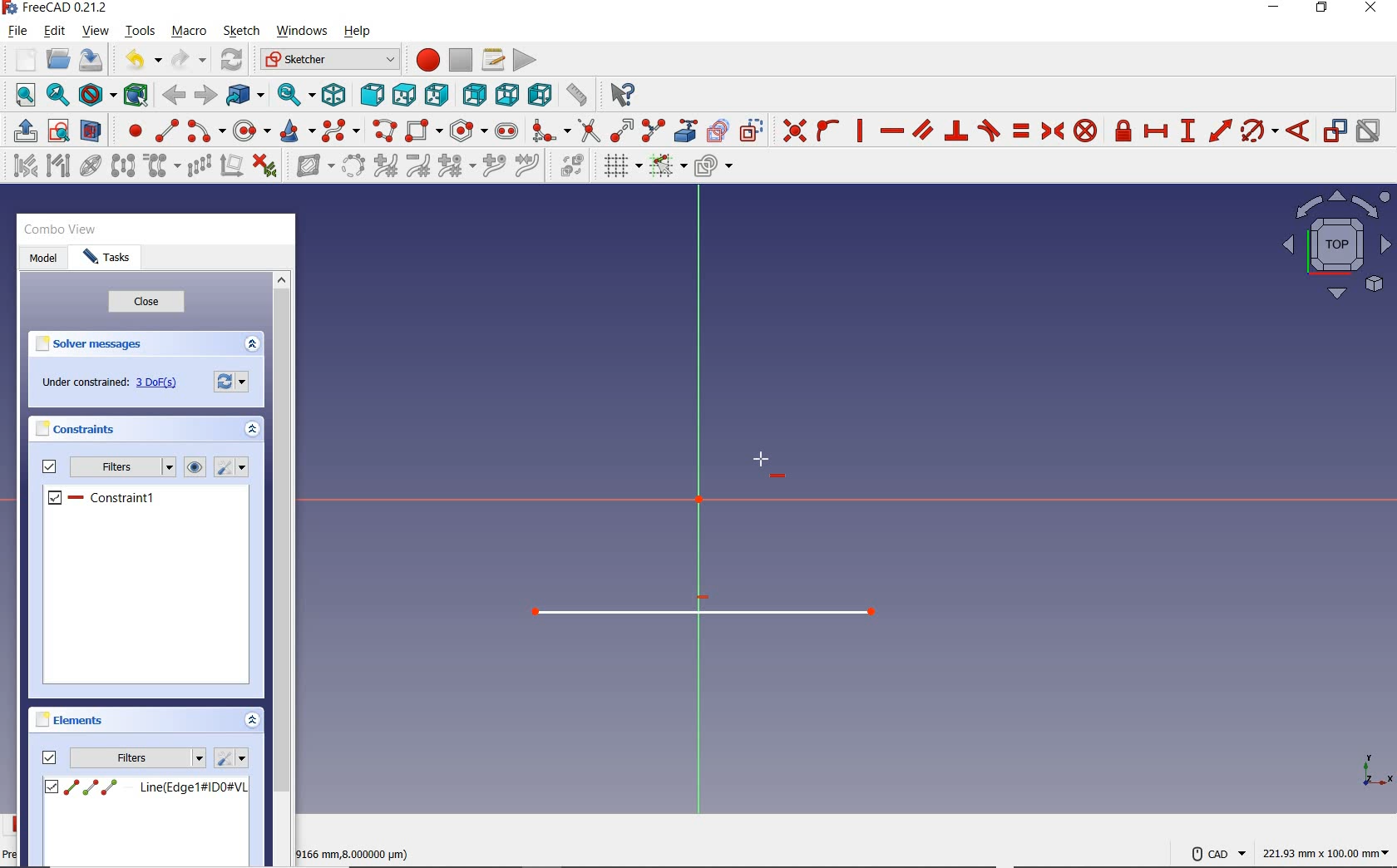 The image size is (1397, 868). What do you see at coordinates (1217, 853) in the screenshot?
I see `CAD Navigation Style` at bounding box center [1217, 853].